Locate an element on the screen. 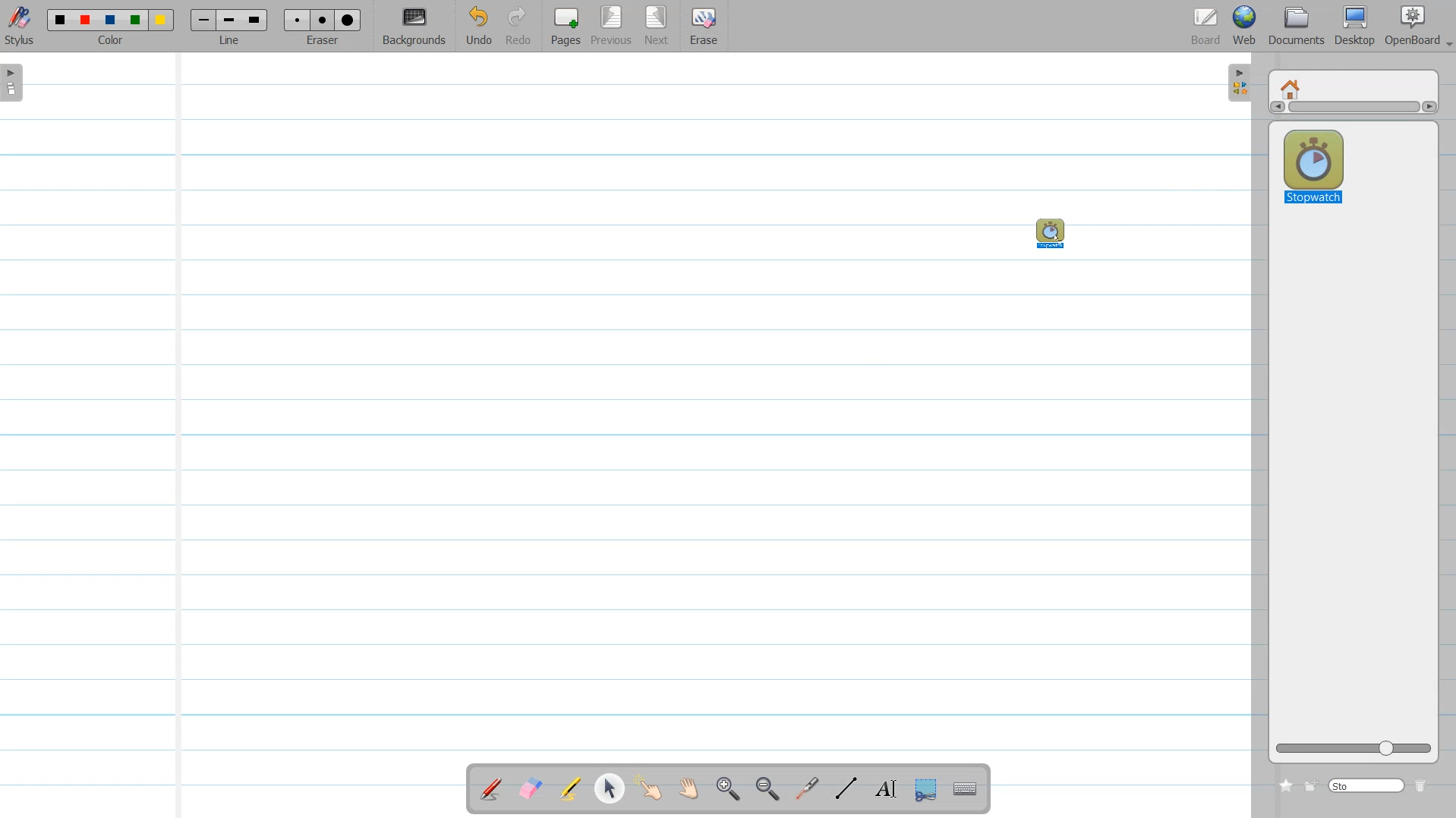 This screenshot has height=818, width=1456. Interact with Item is located at coordinates (653, 788).